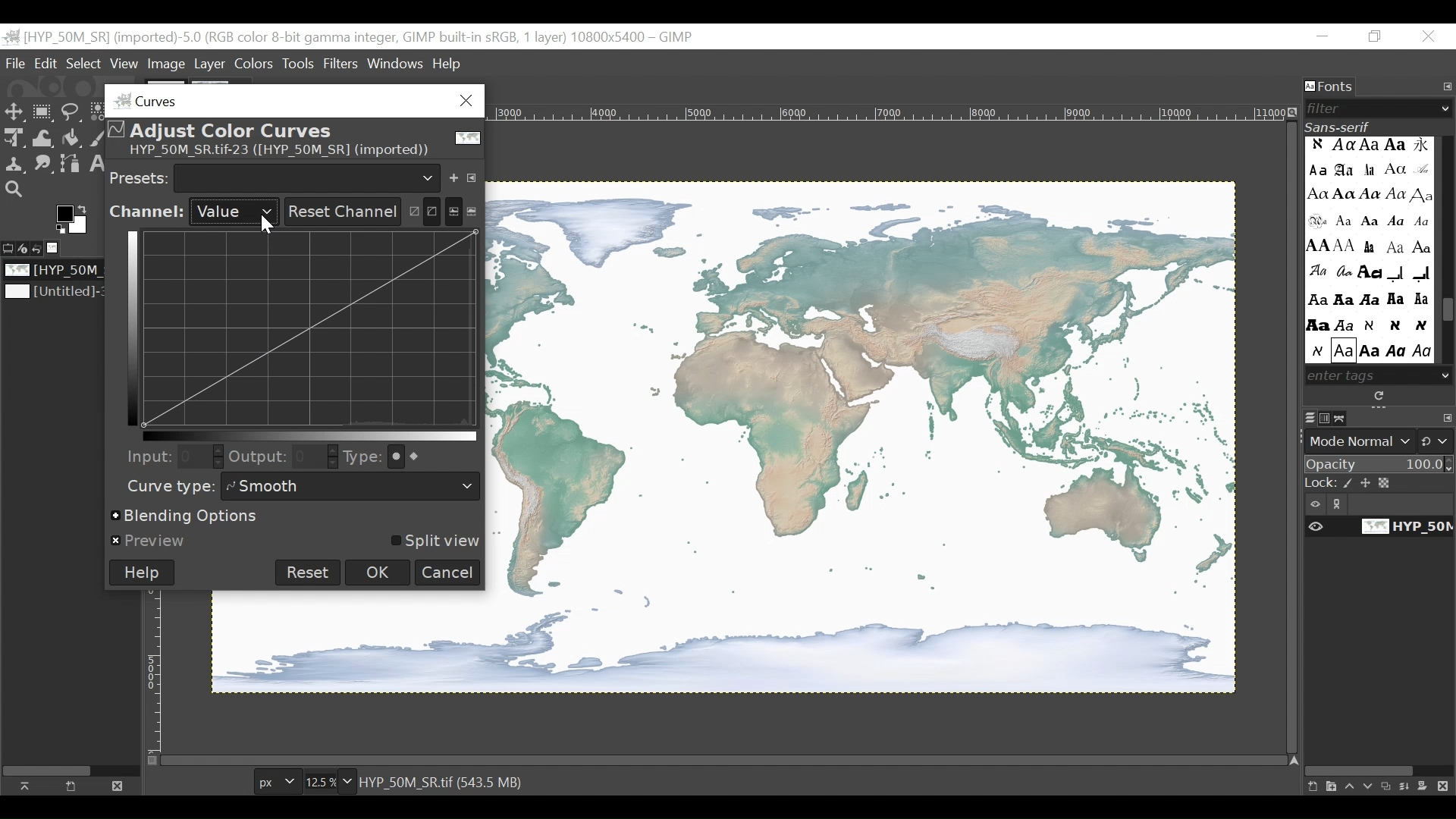  What do you see at coordinates (167, 486) in the screenshot?
I see `Curve type` at bounding box center [167, 486].